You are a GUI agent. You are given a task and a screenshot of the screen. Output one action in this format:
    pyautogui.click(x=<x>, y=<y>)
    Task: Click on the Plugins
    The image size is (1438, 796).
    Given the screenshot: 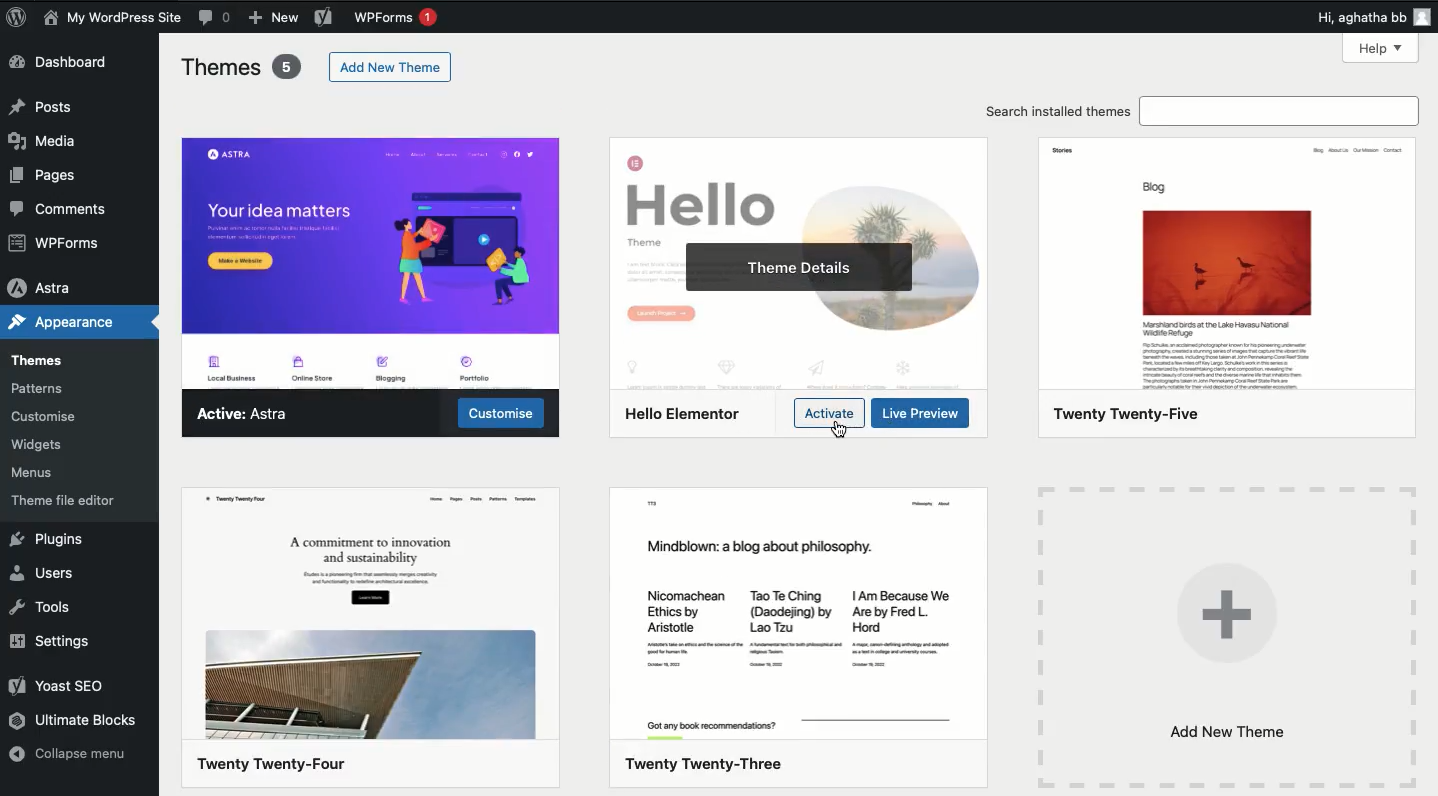 What is the action you would take?
    pyautogui.click(x=48, y=540)
    